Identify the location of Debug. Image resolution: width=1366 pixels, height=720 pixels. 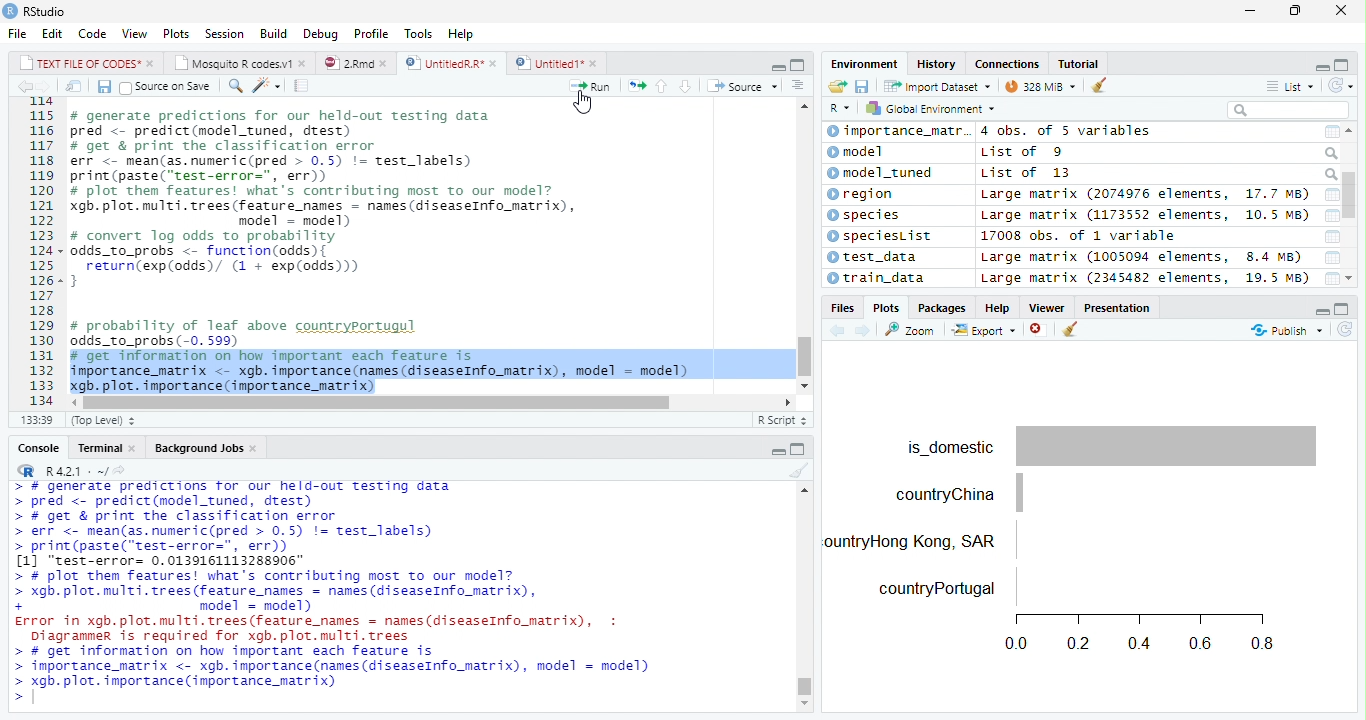
(319, 35).